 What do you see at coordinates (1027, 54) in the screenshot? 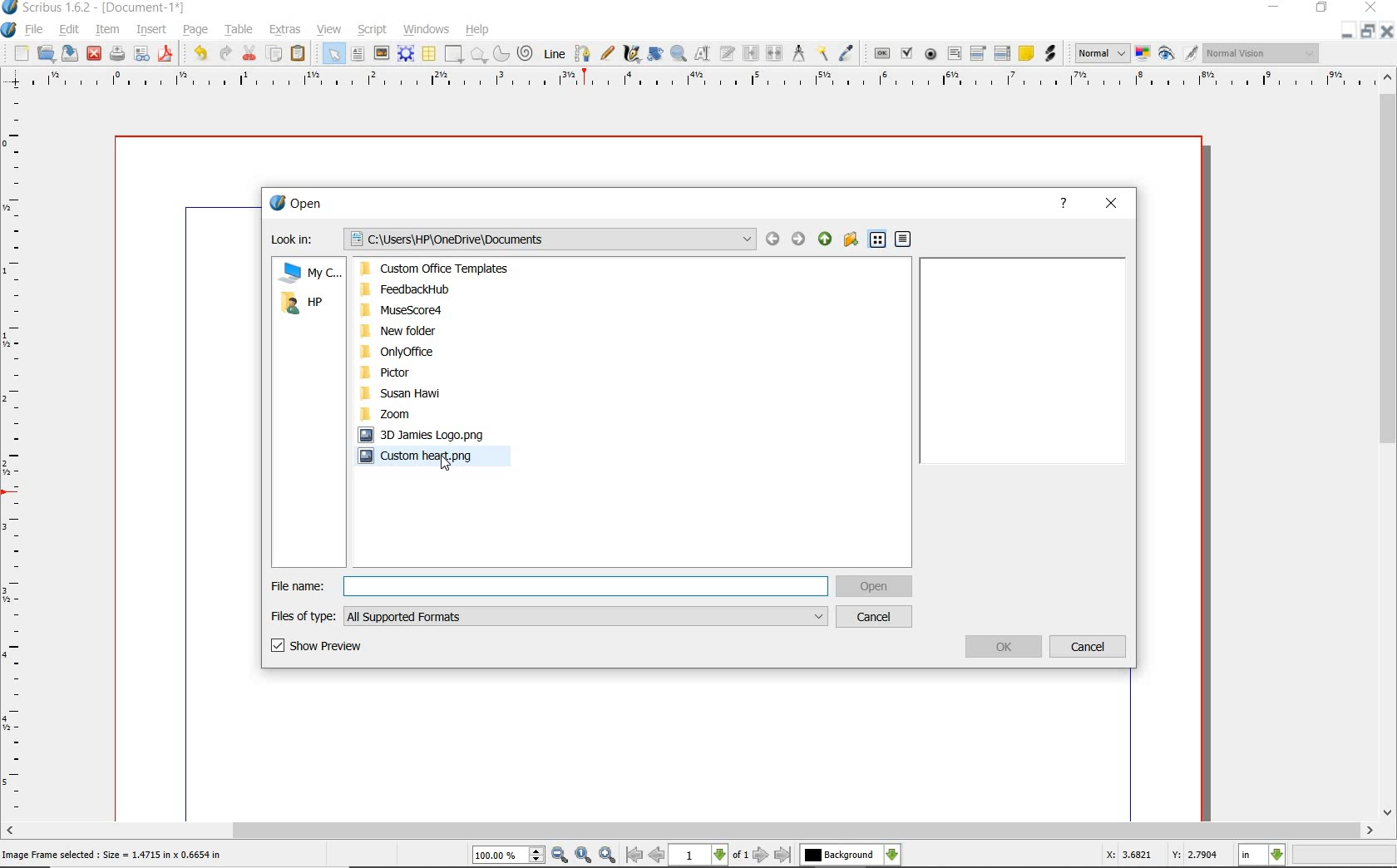
I see `text annotation` at bounding box center [1027, 54].